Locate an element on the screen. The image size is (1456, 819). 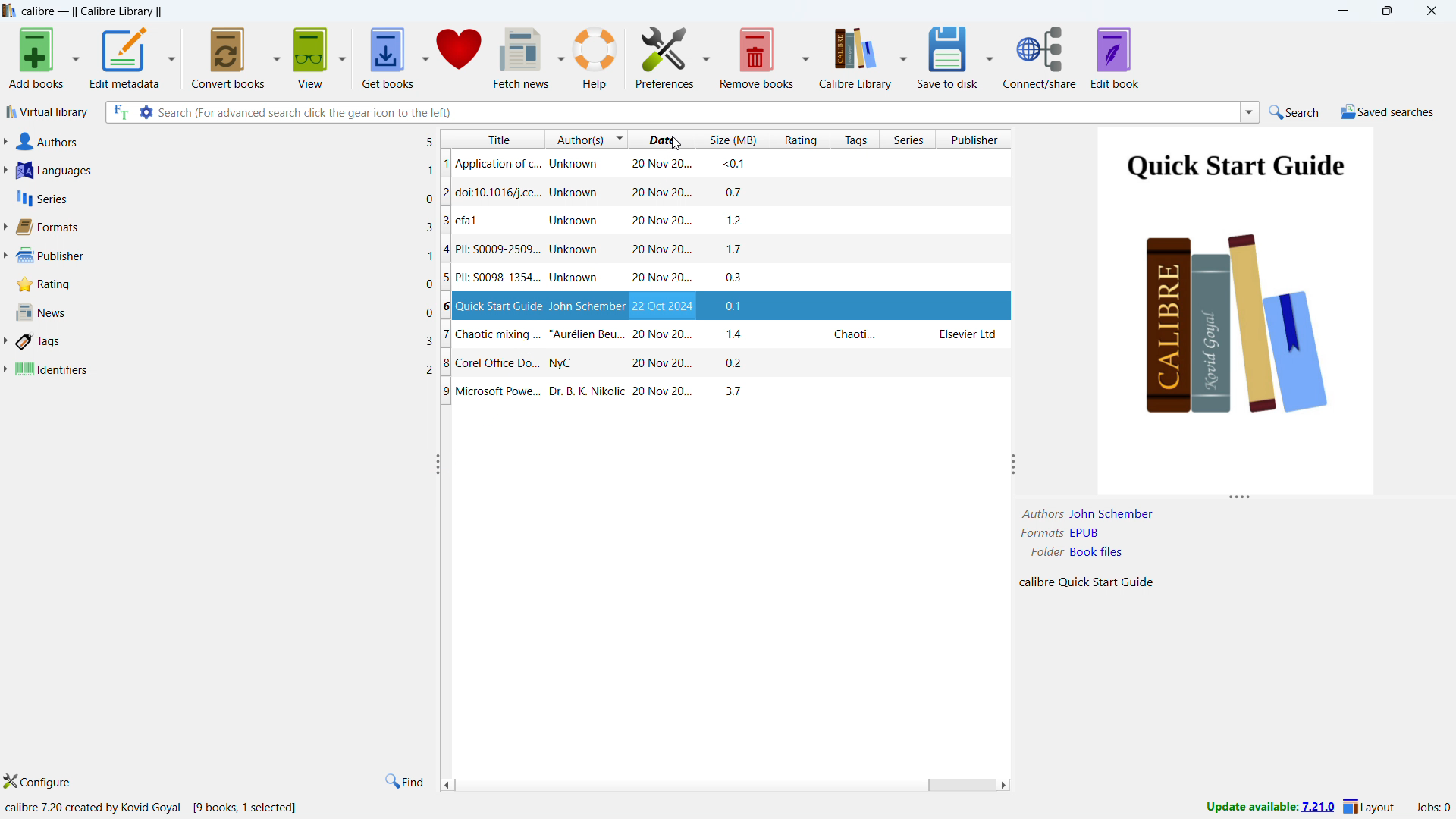
calibre library options is located at coordinates (904, 55).